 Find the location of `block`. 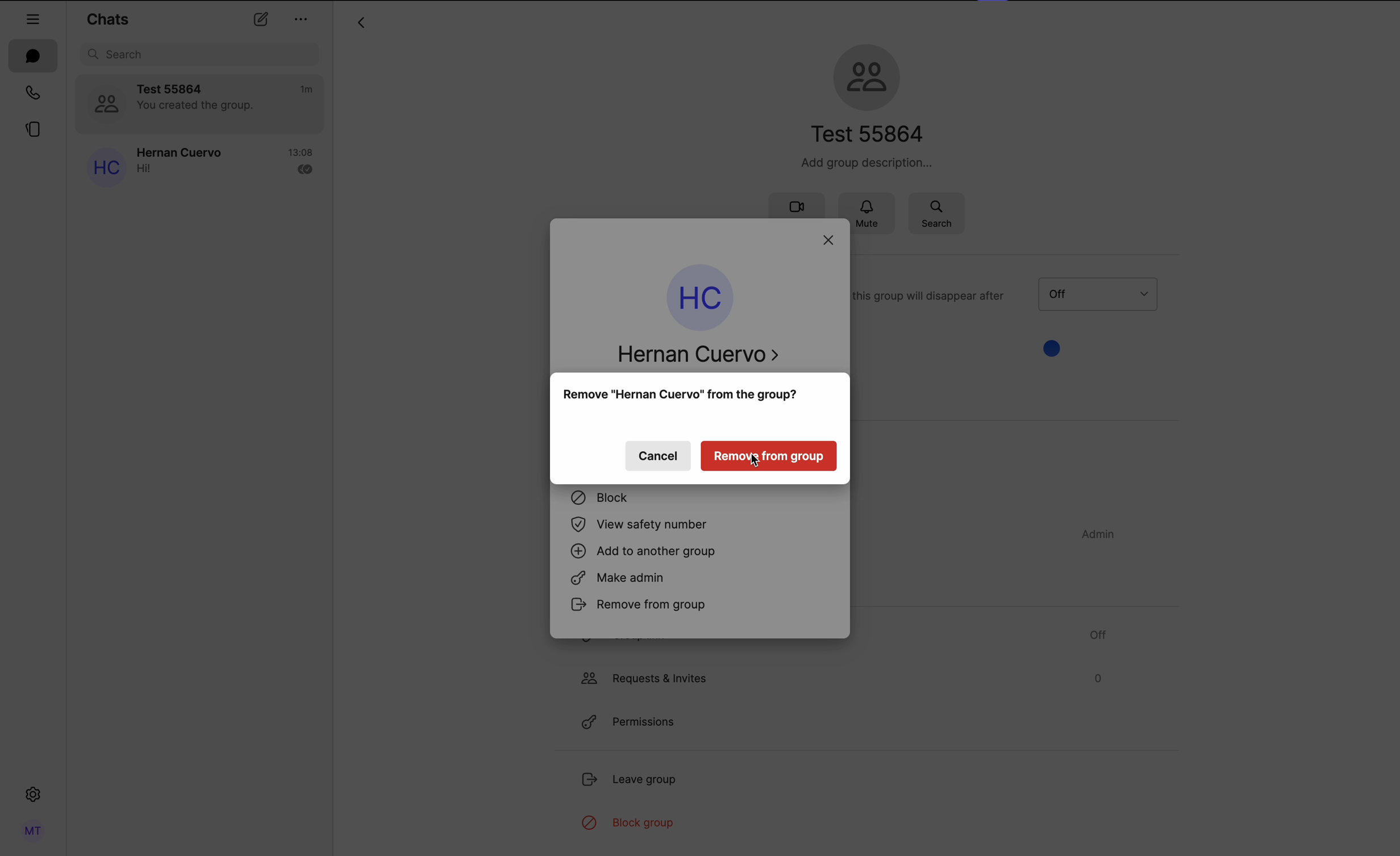

block is located at coordinates (601, 500).